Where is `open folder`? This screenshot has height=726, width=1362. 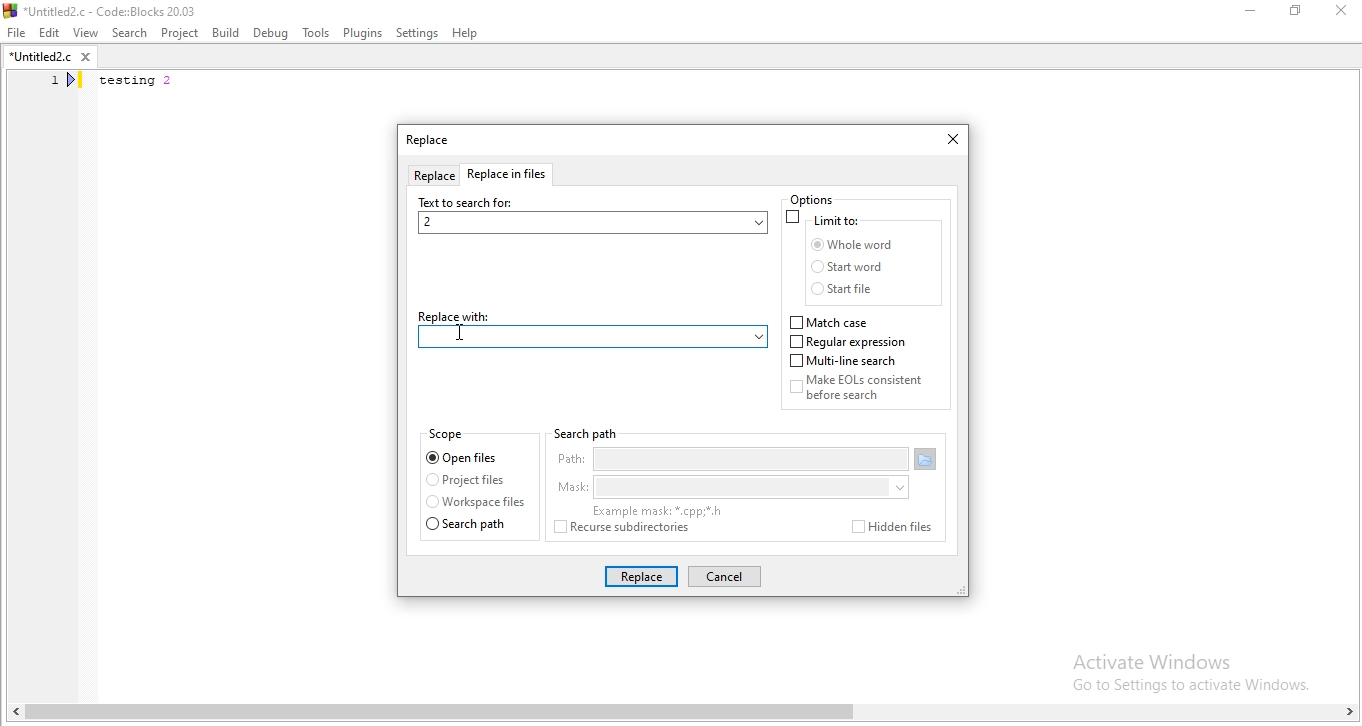 open folder is located at coordinates (927, 460).